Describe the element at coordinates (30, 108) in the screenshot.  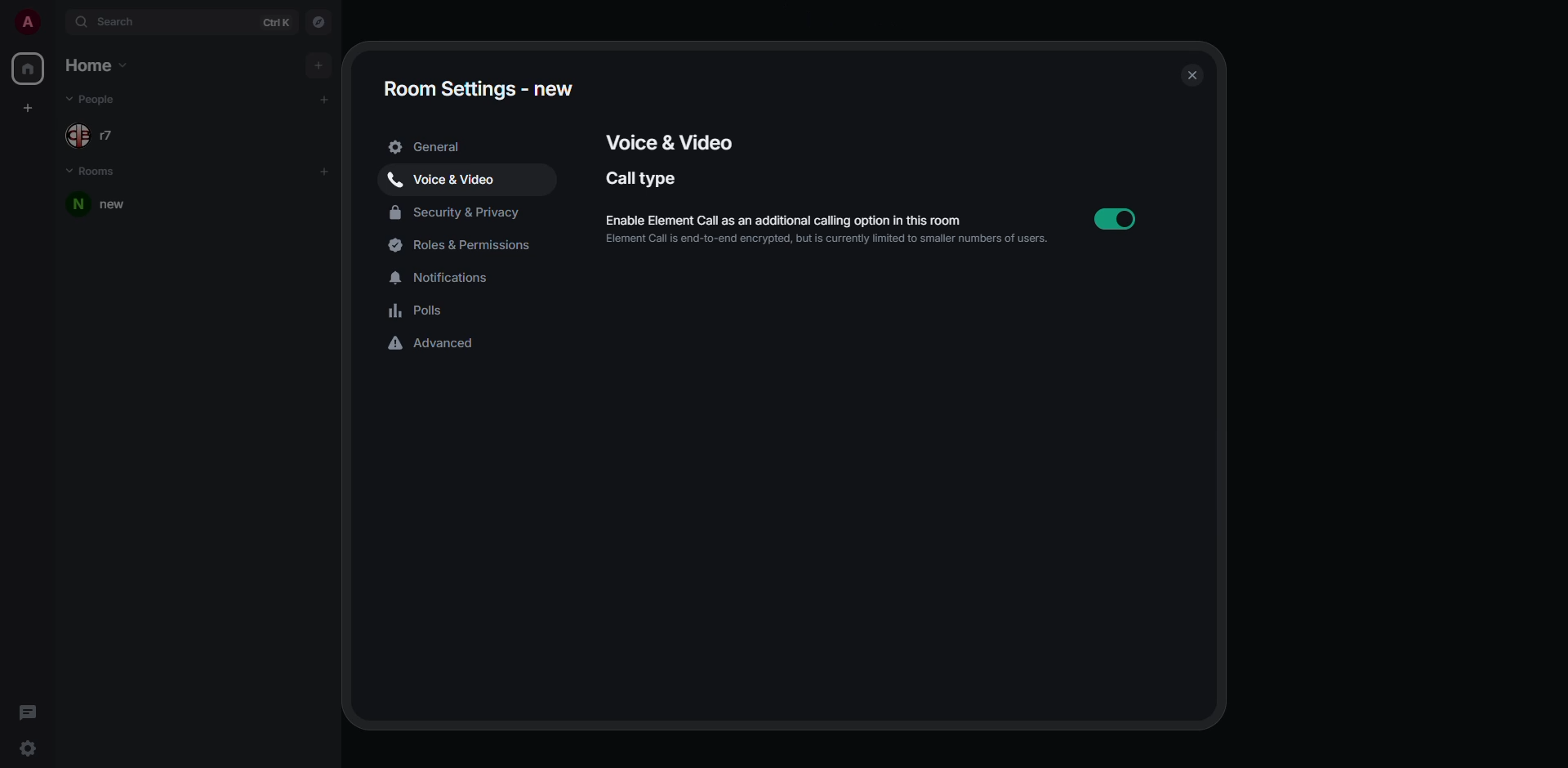
I see `create space` at that location.